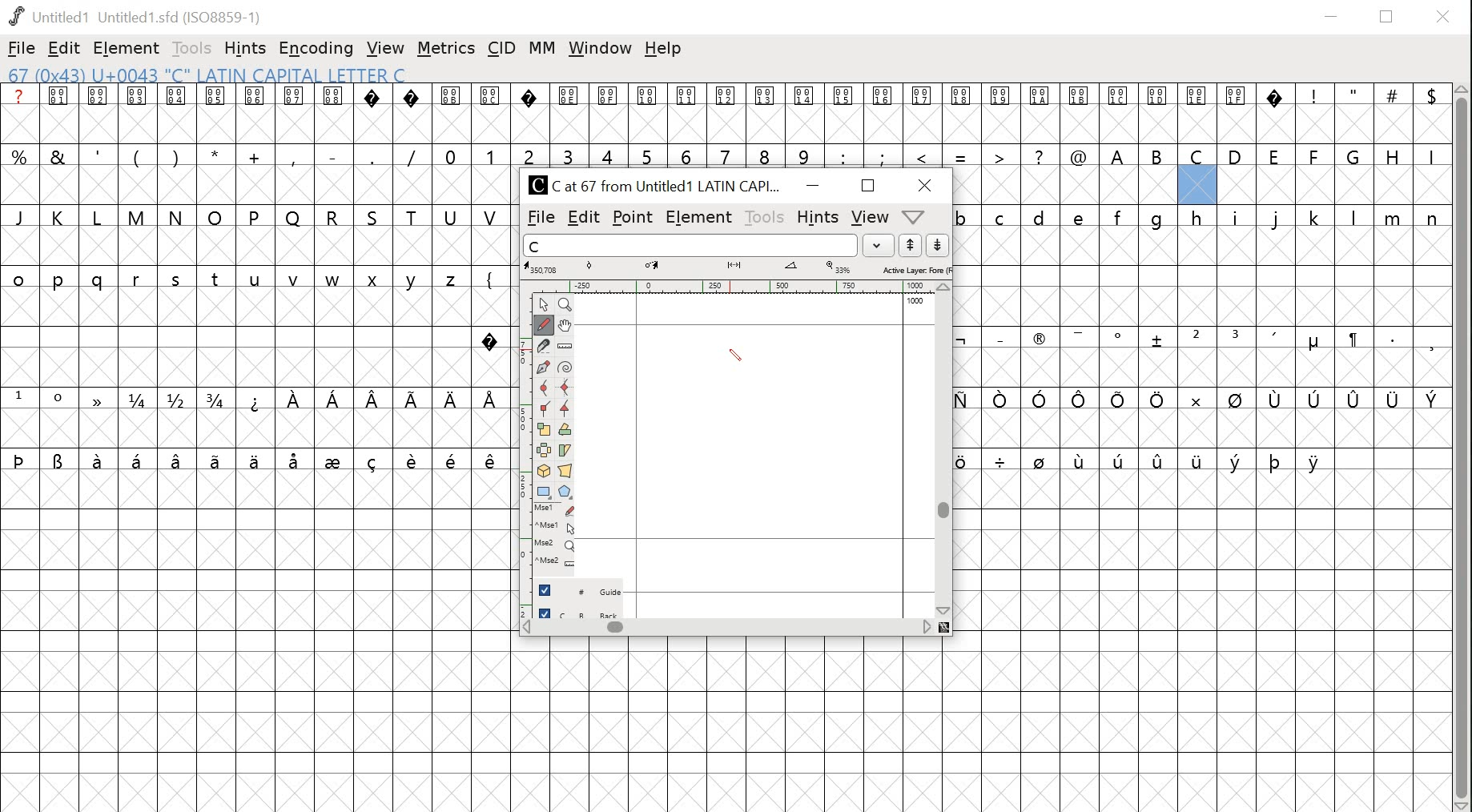  What do you see at coordinates (766, 215) in the screenshot?
I see `tools` at bounding box center [766, 215].